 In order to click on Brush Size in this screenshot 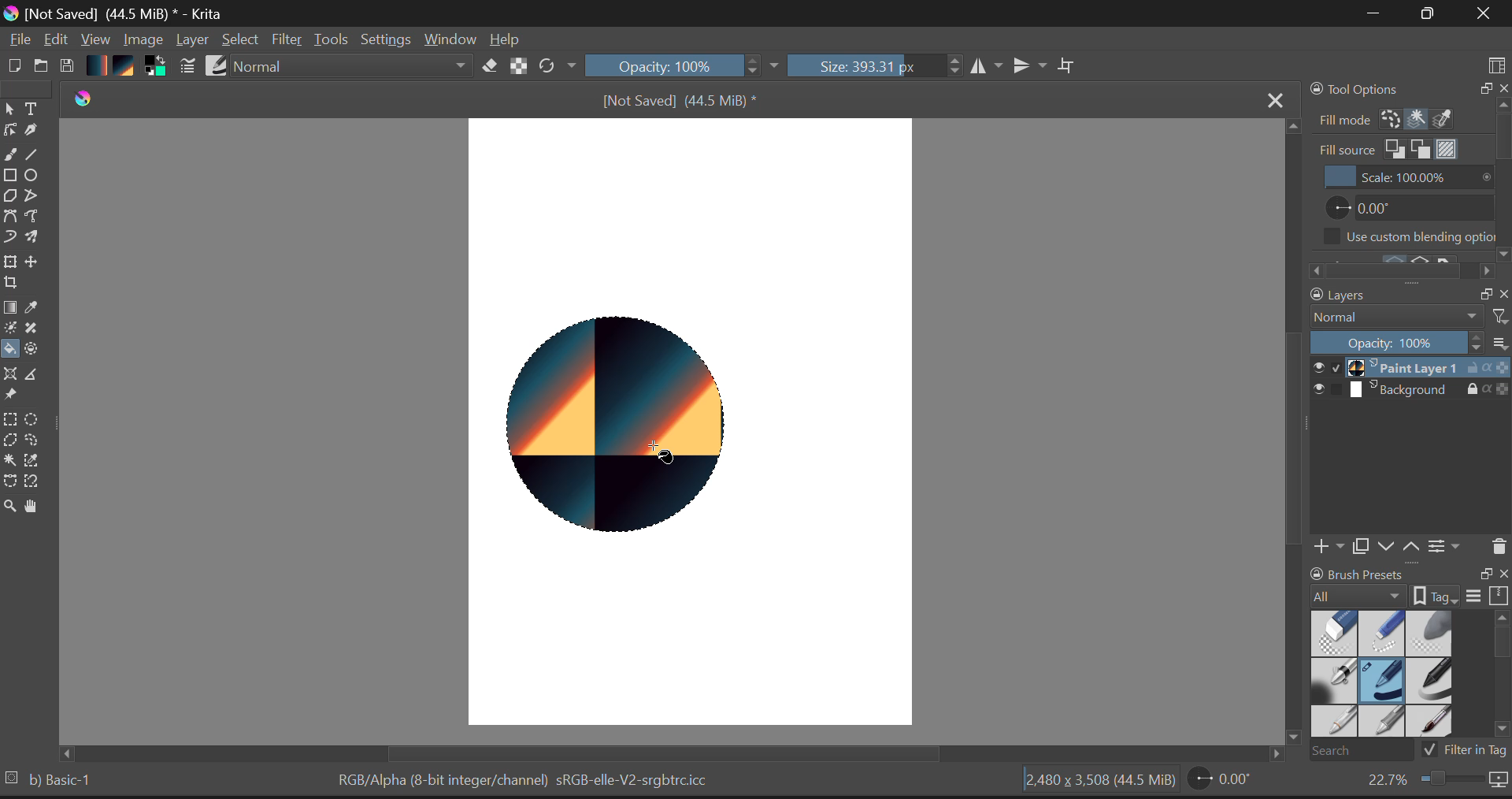, I will do `click(874, 67)`.